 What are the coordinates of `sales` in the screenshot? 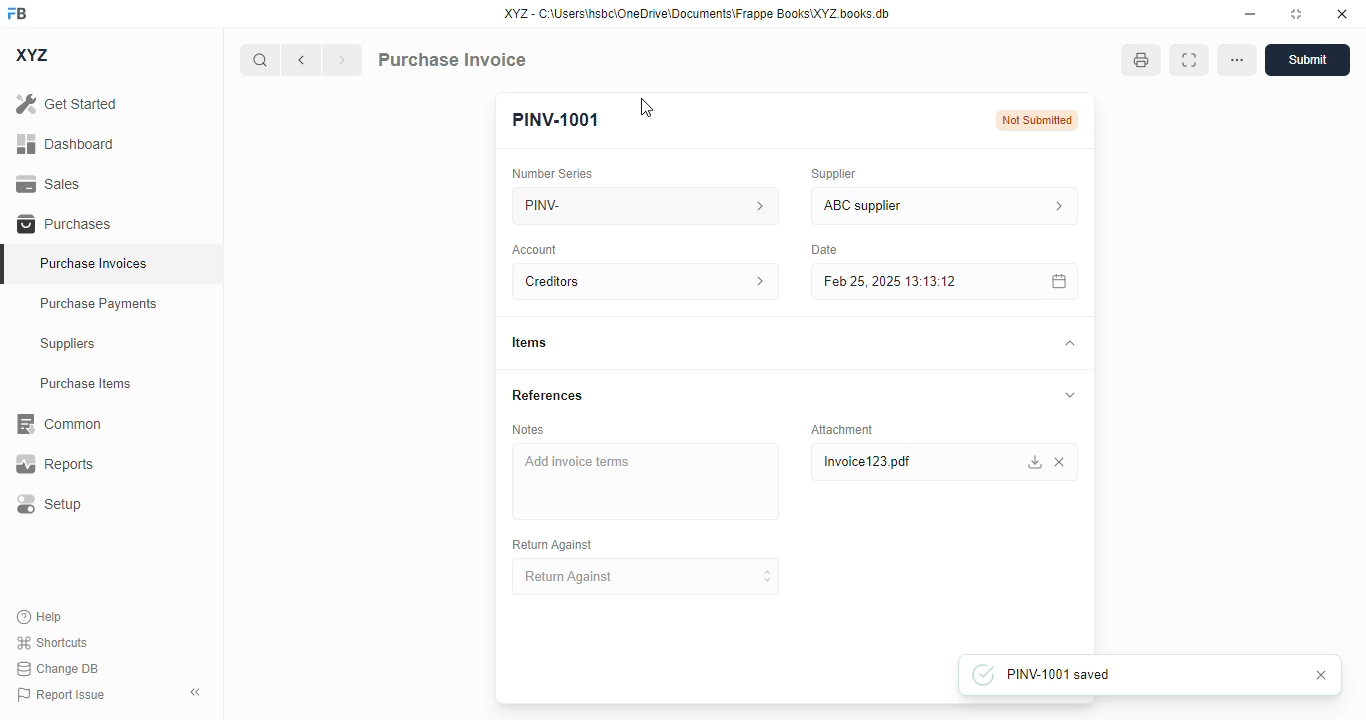 It's located at (52, 184).